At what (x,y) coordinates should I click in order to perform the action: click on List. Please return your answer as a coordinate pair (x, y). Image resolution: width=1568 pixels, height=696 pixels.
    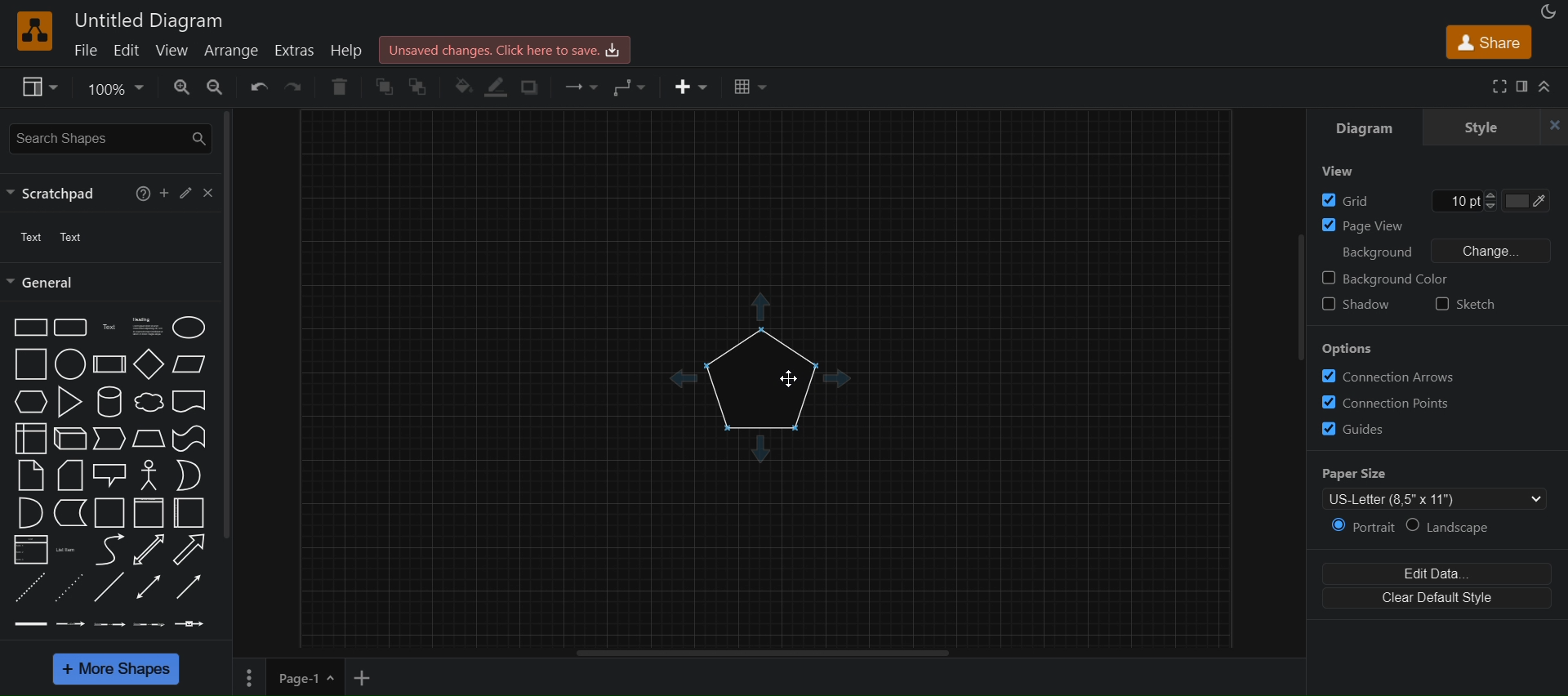
    Looking at the image, I should click on (31, 550).